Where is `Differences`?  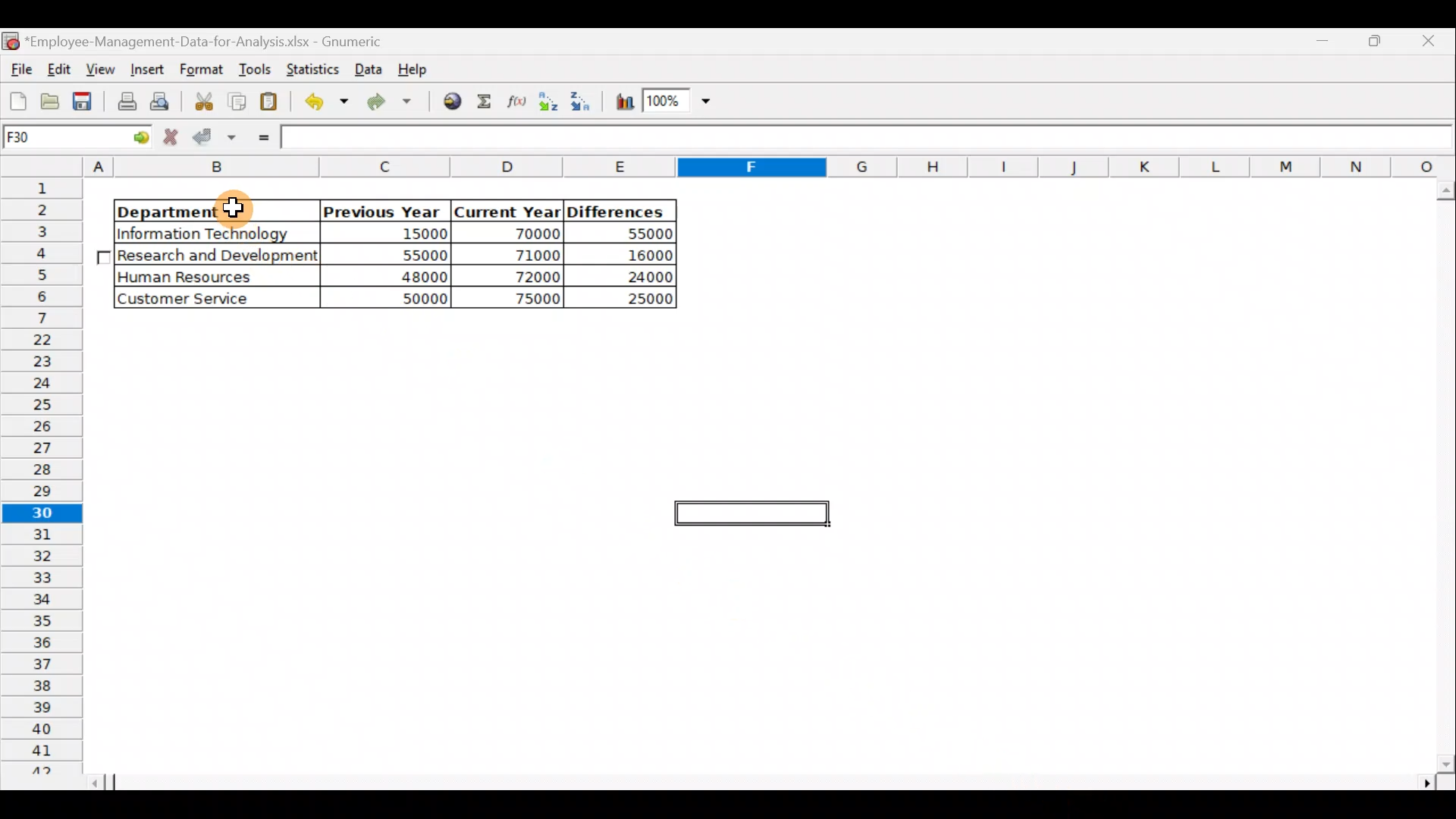
Differences is located at coordinates (619, 211).